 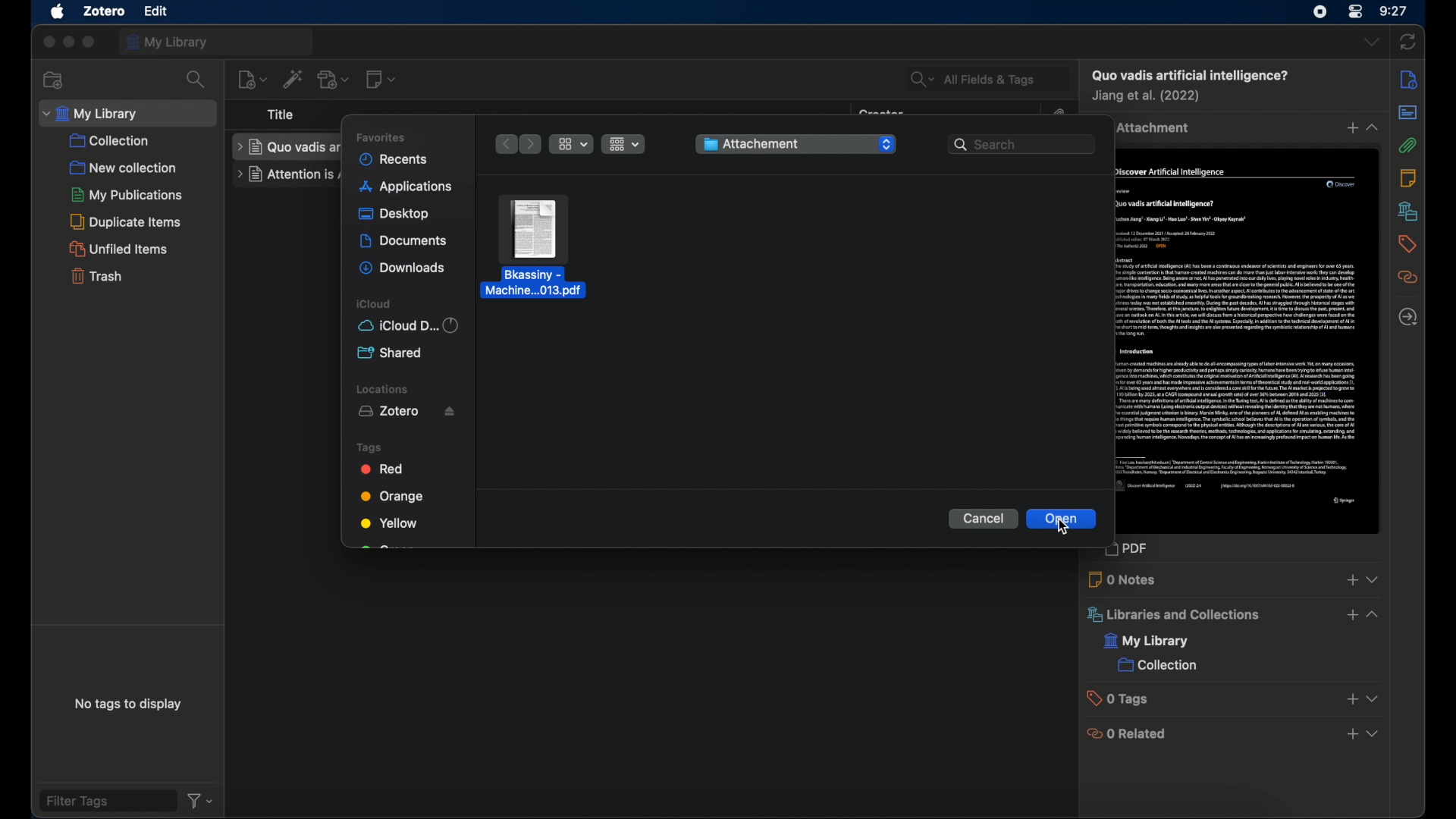 I want to click on desktop, so click(x=395, y=215).